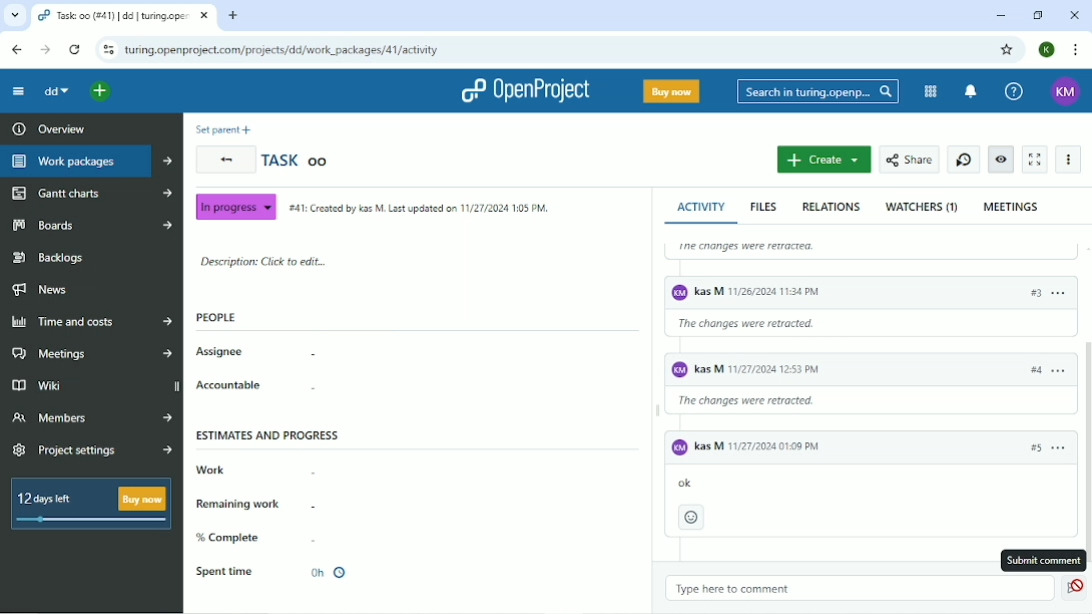  I want to click on Activity, so click(705, 207).